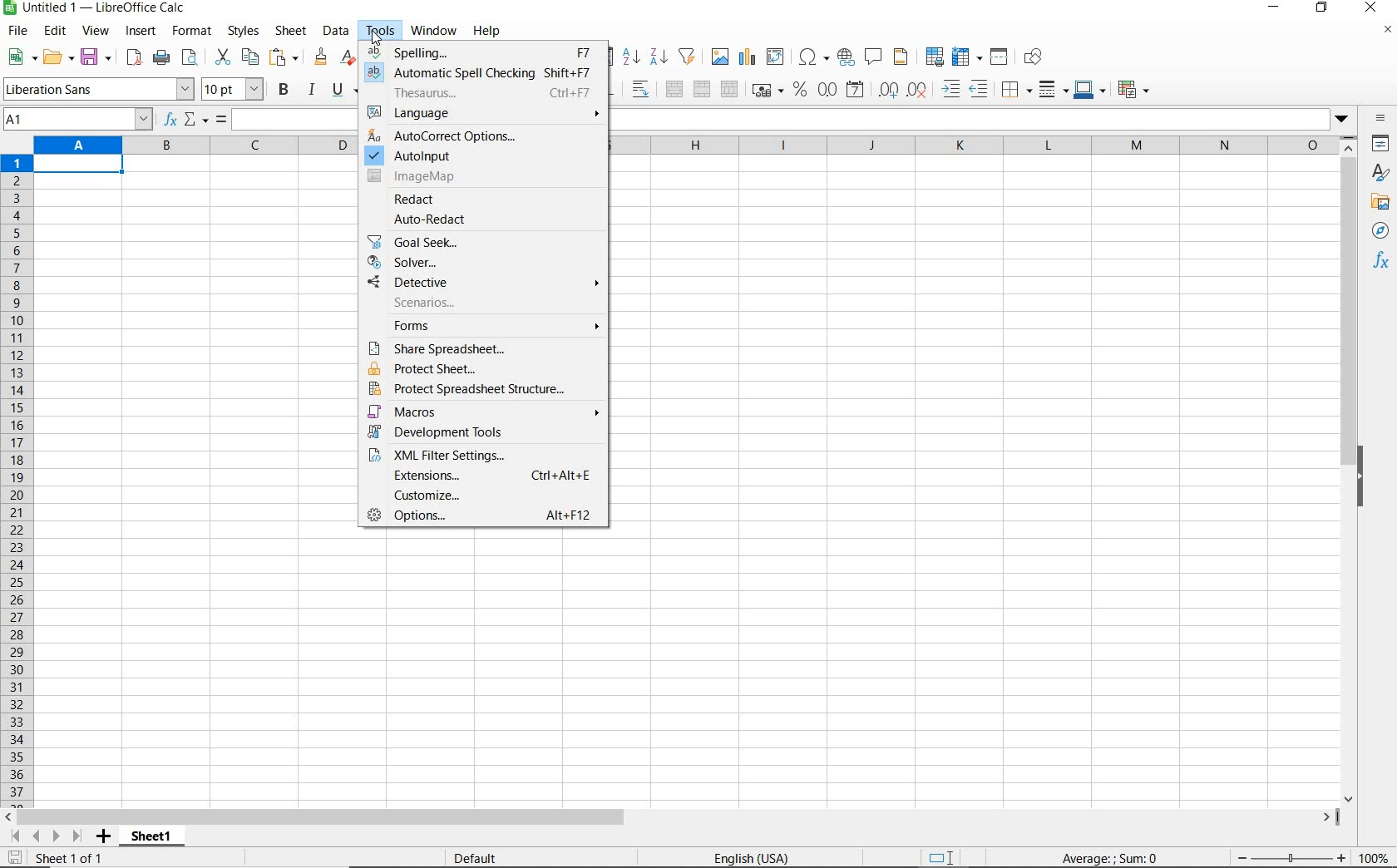 Image resolution: width=1397 pixels, height=868 pixels. What do you see at coordinates (234, 89) in the screenshot?
I see `font size` at bounding box center [234, 89].